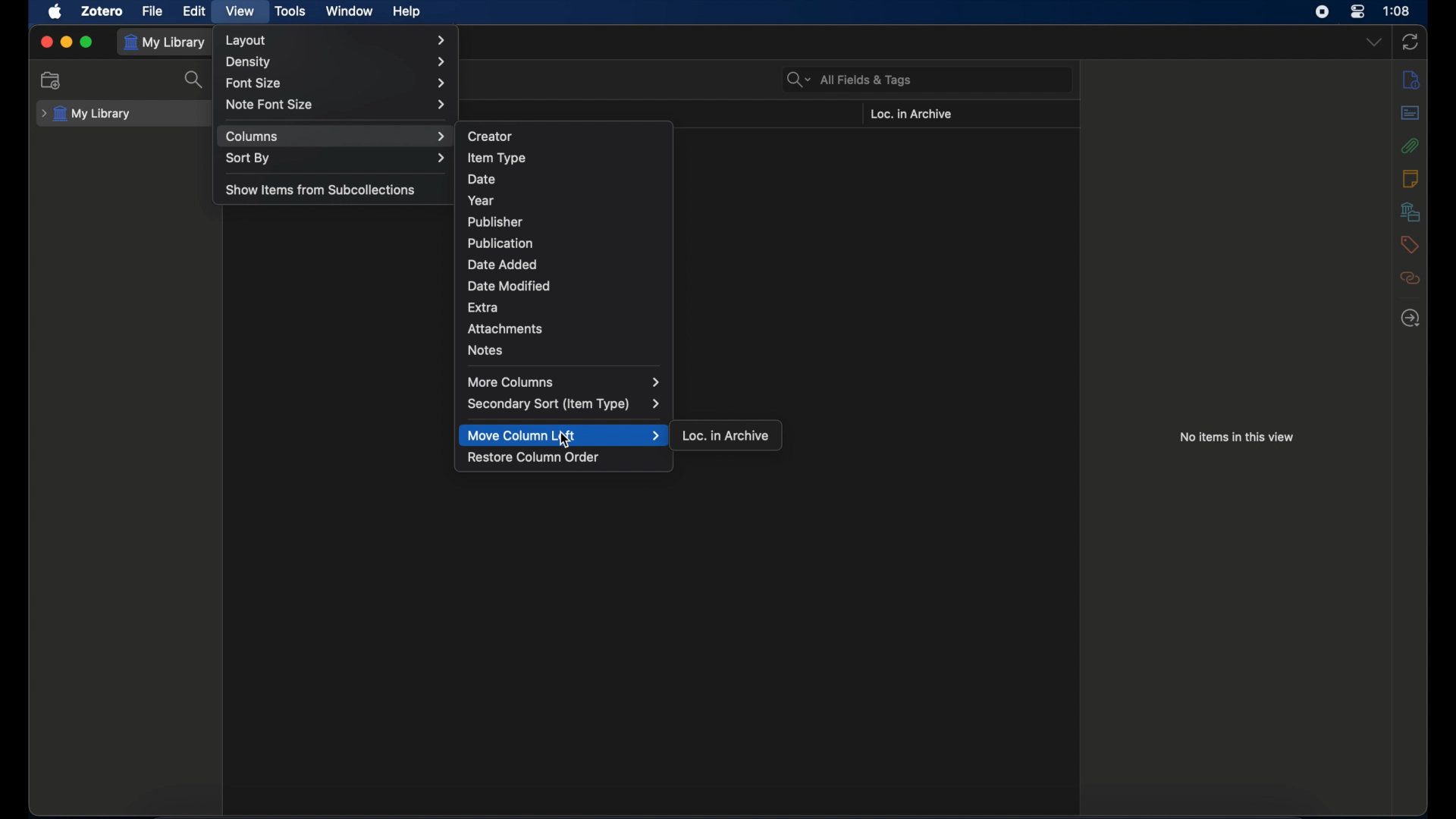 Image resolution: width=1456 pixels, height=819 pixels. Describe the element at coordinates (534, 457) in the screenshot. I see `restore column order` at that location.